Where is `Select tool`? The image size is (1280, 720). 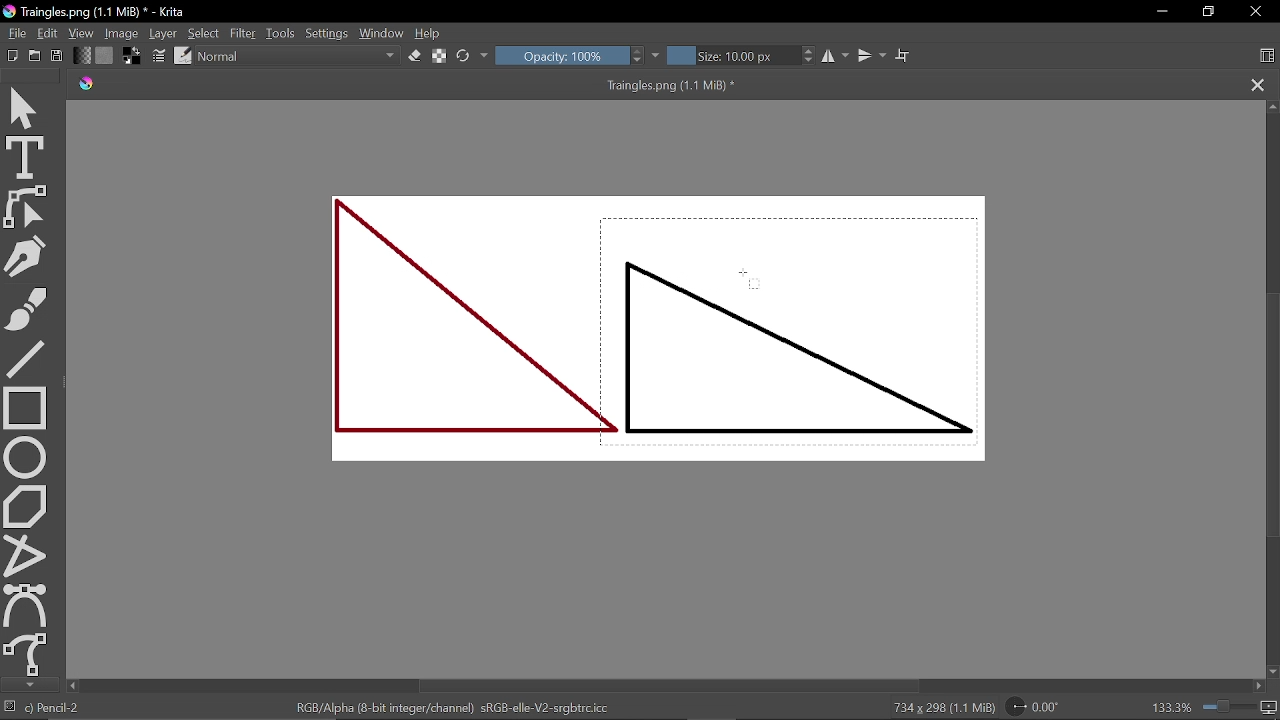
Select tool is located at coordinates (26, 109).